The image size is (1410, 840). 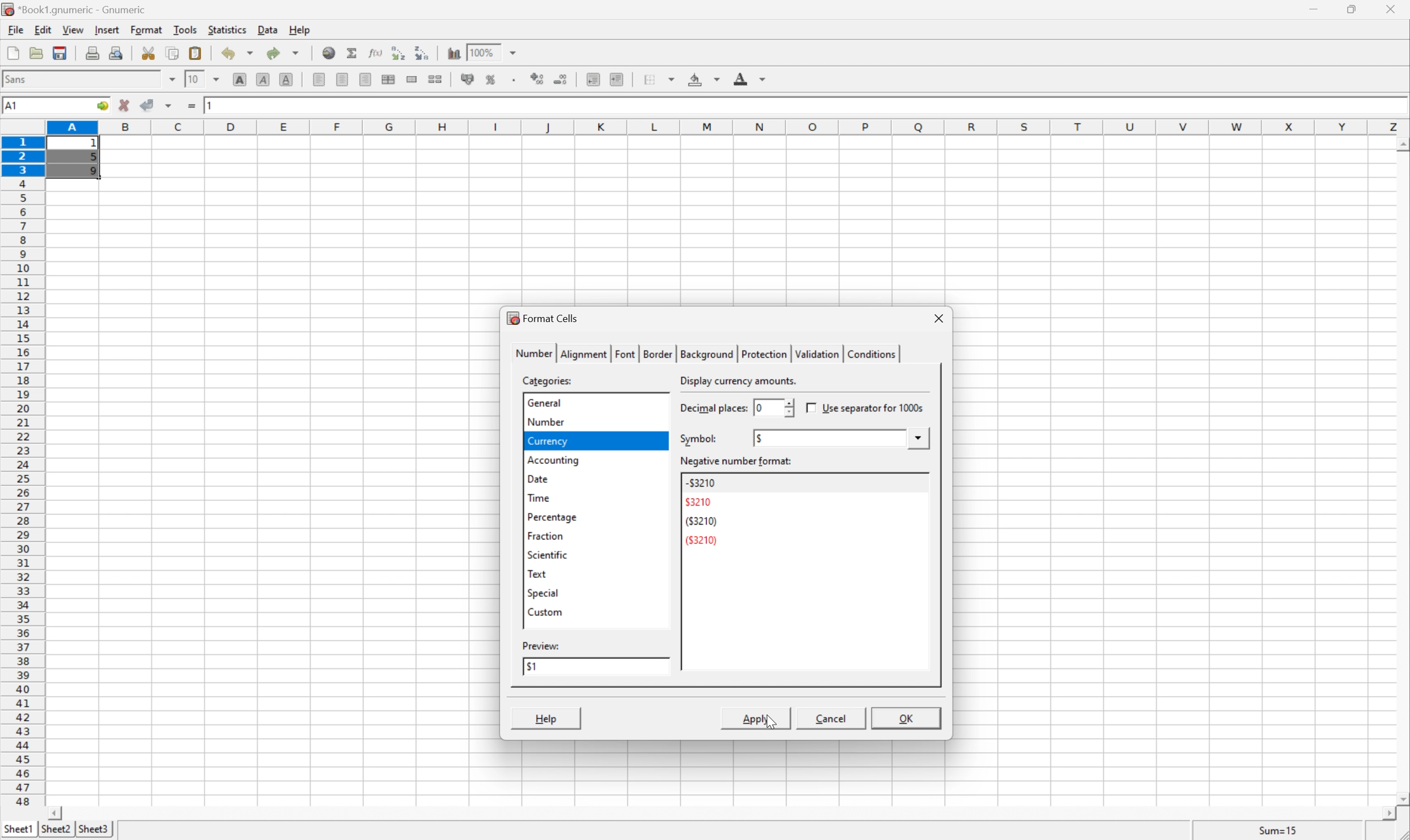 I want to click on close, so click(x=1397, y=9).